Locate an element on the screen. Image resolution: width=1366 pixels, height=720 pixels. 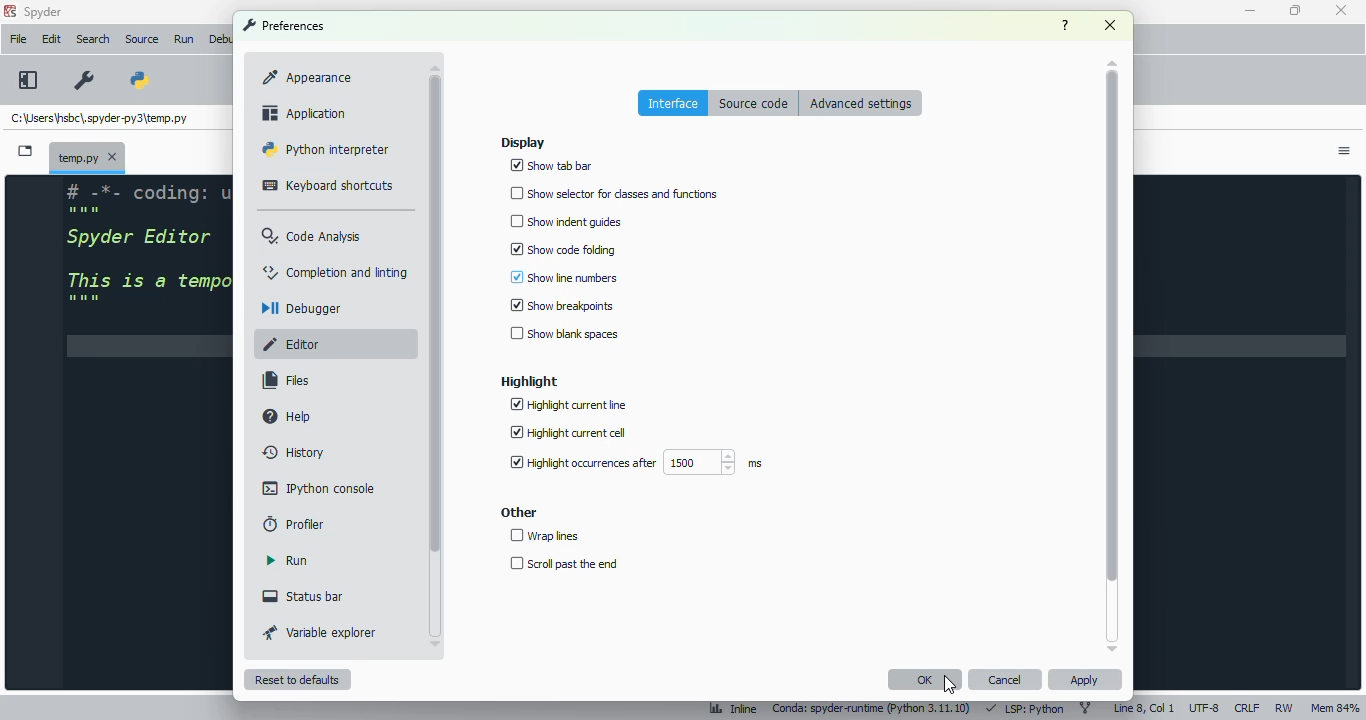
file is located at coordinates (18, 39).